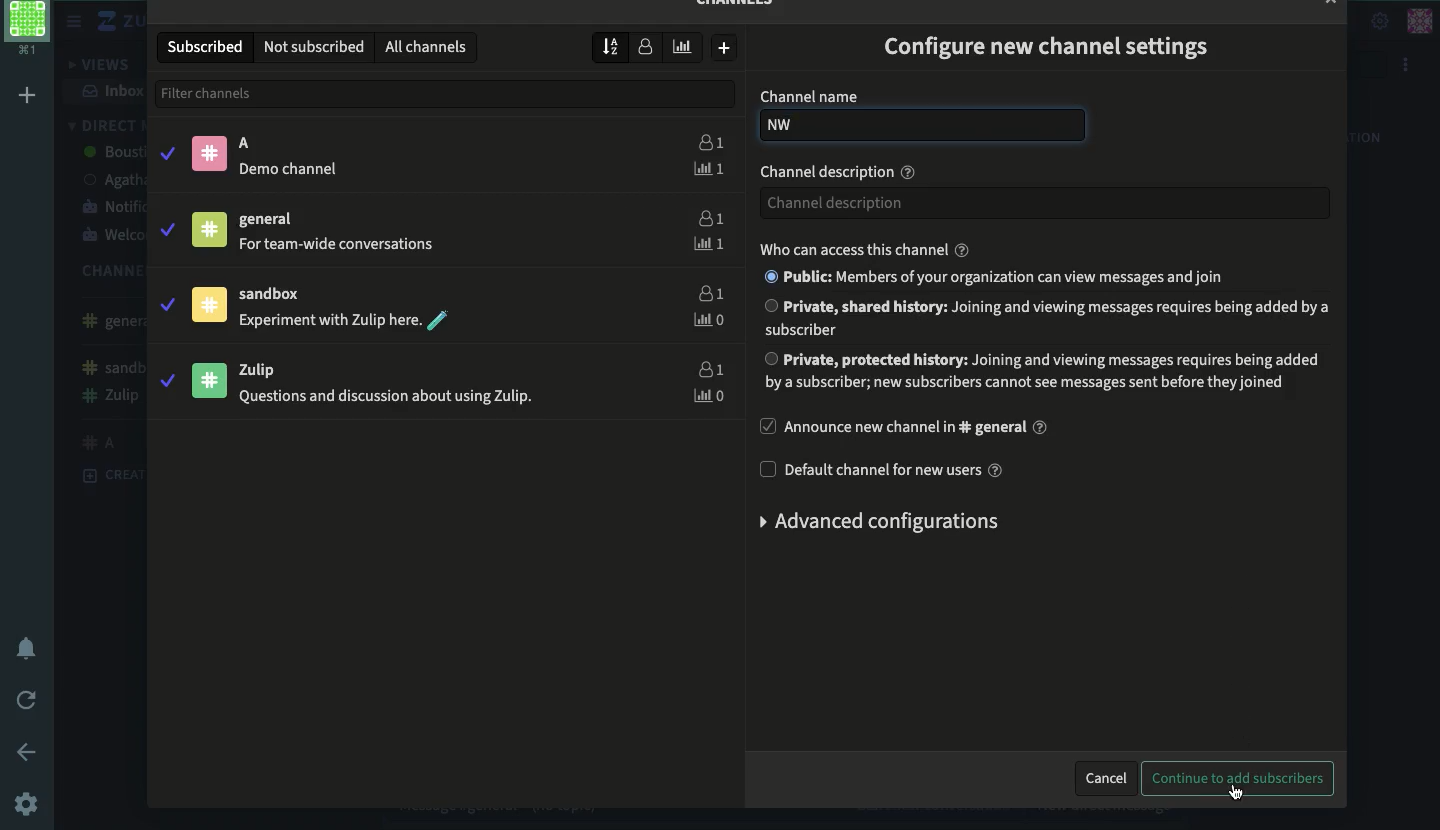 This screenshot has height=830, width=1440. I want to click on  Private, protected history: Joining and viewing messages requires being addedbya subscriber; new subscribers cannot see messages sent before they joined, so click(1051, 374).